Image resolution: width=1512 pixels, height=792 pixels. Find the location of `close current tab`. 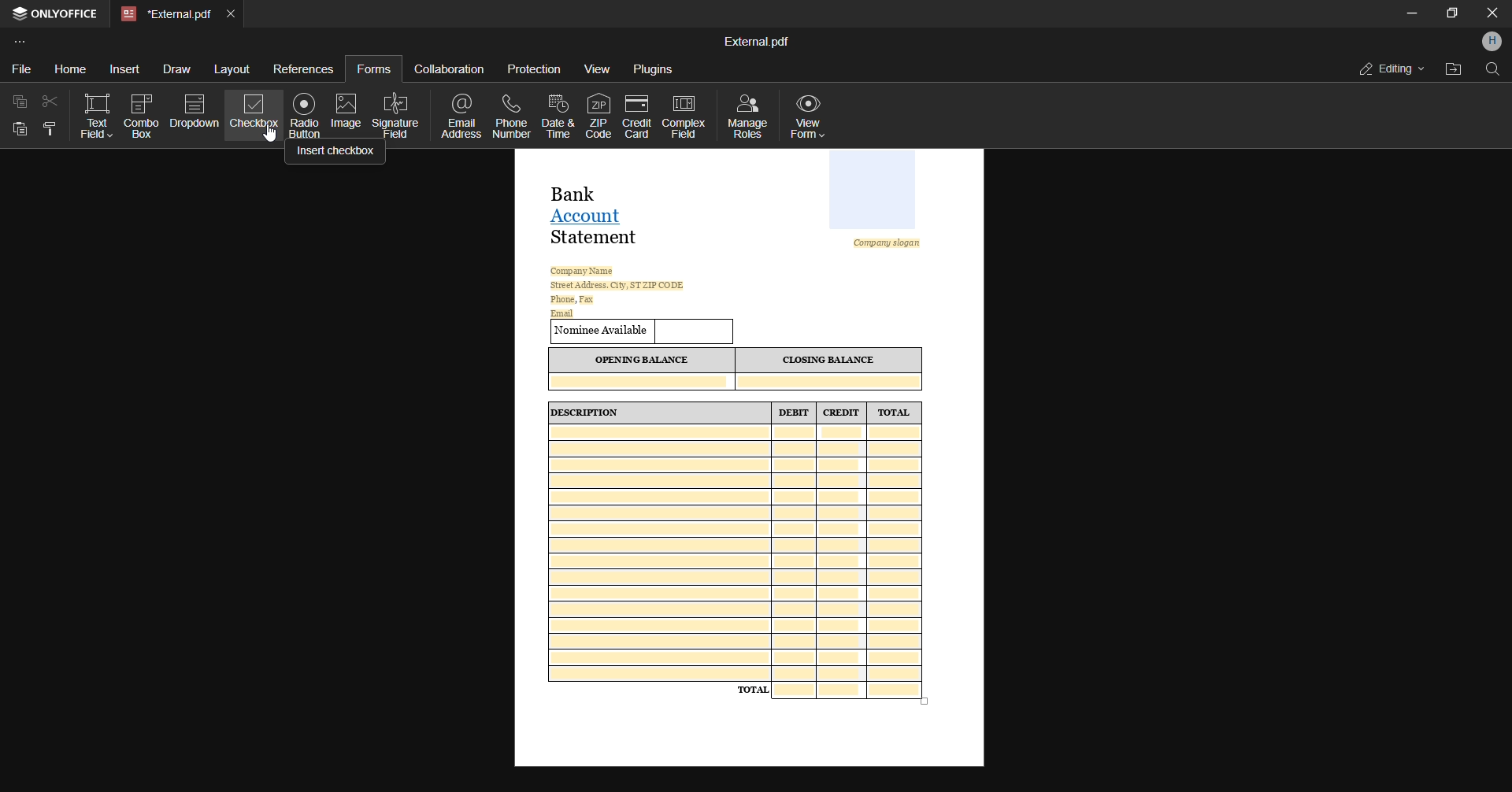

close current tab is located at coordinates (235, 13).